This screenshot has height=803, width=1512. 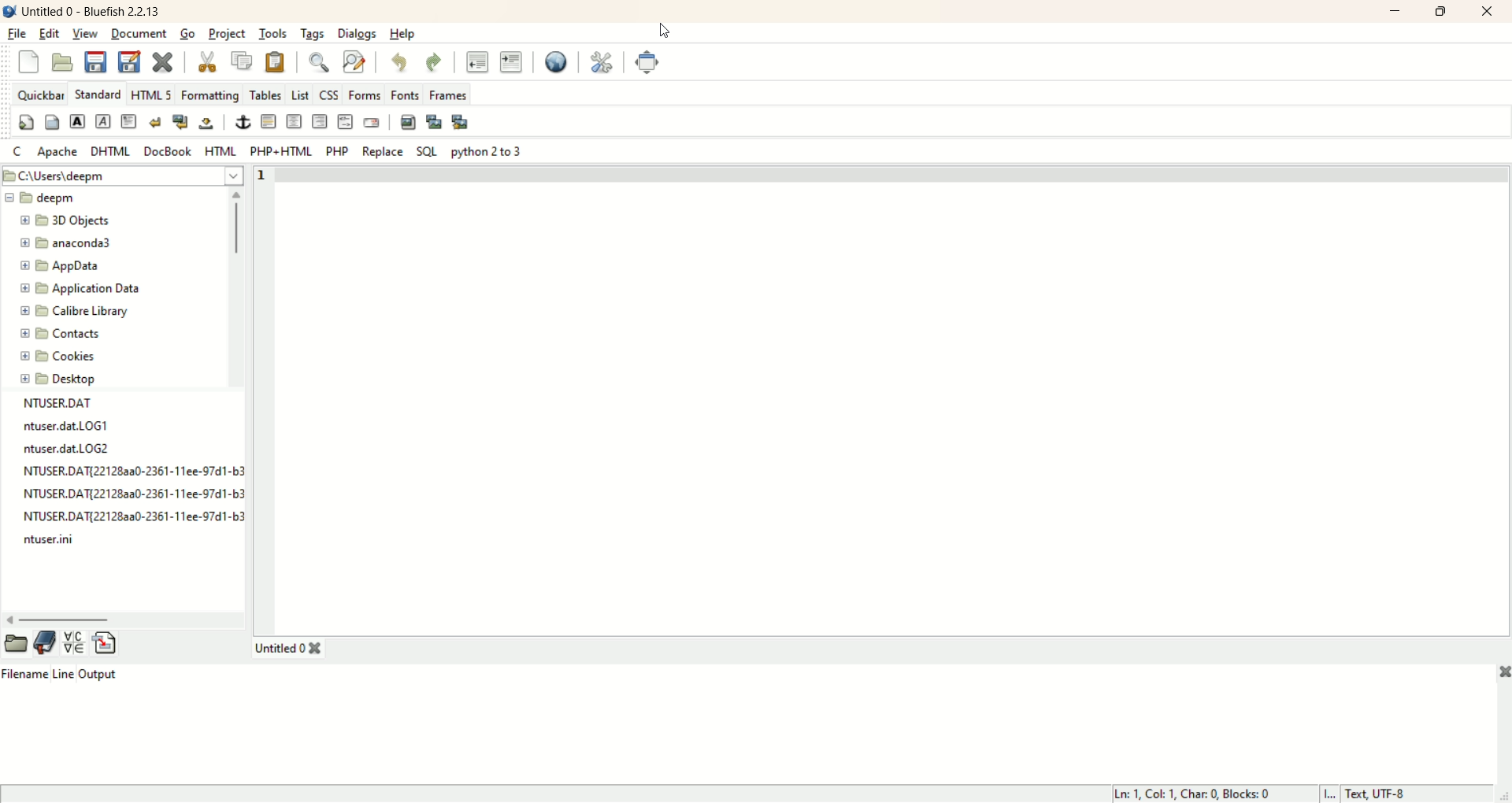 I want to click on contacts, so click(x=60, y=335).